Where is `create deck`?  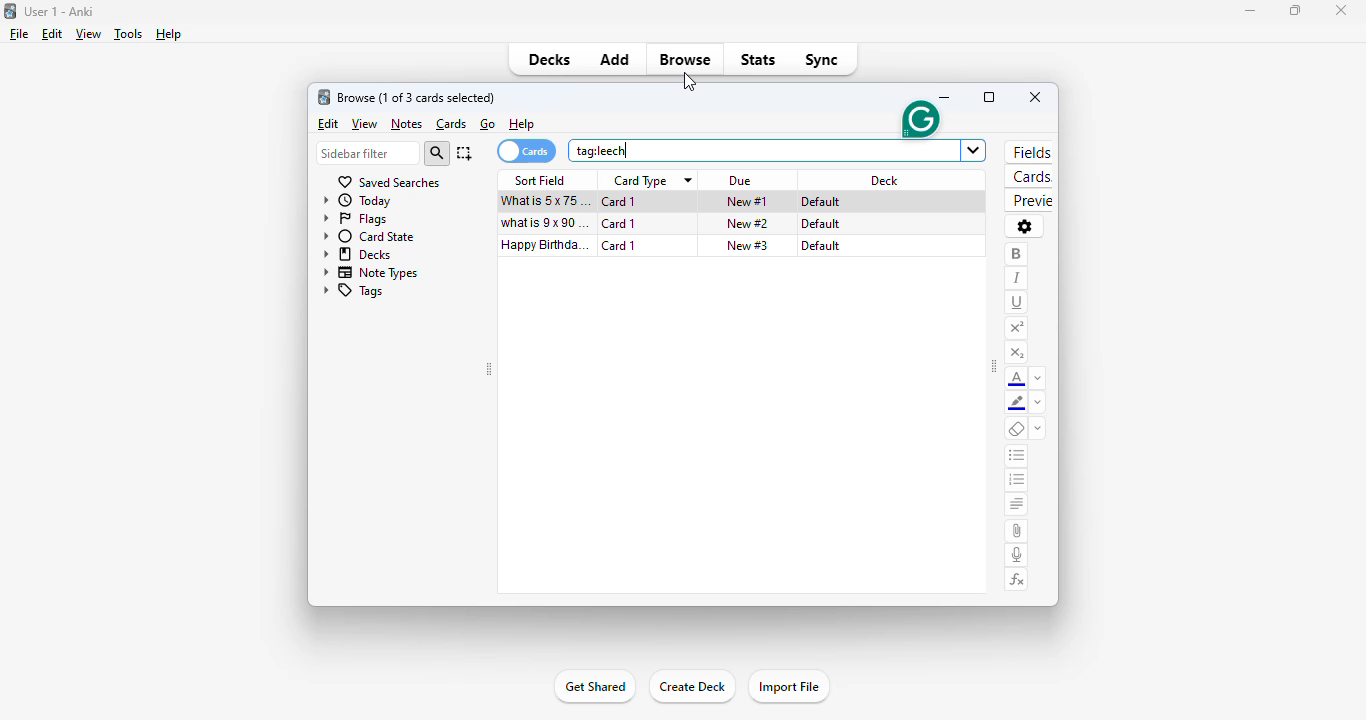 create deck is located at coordinates (692, 688).